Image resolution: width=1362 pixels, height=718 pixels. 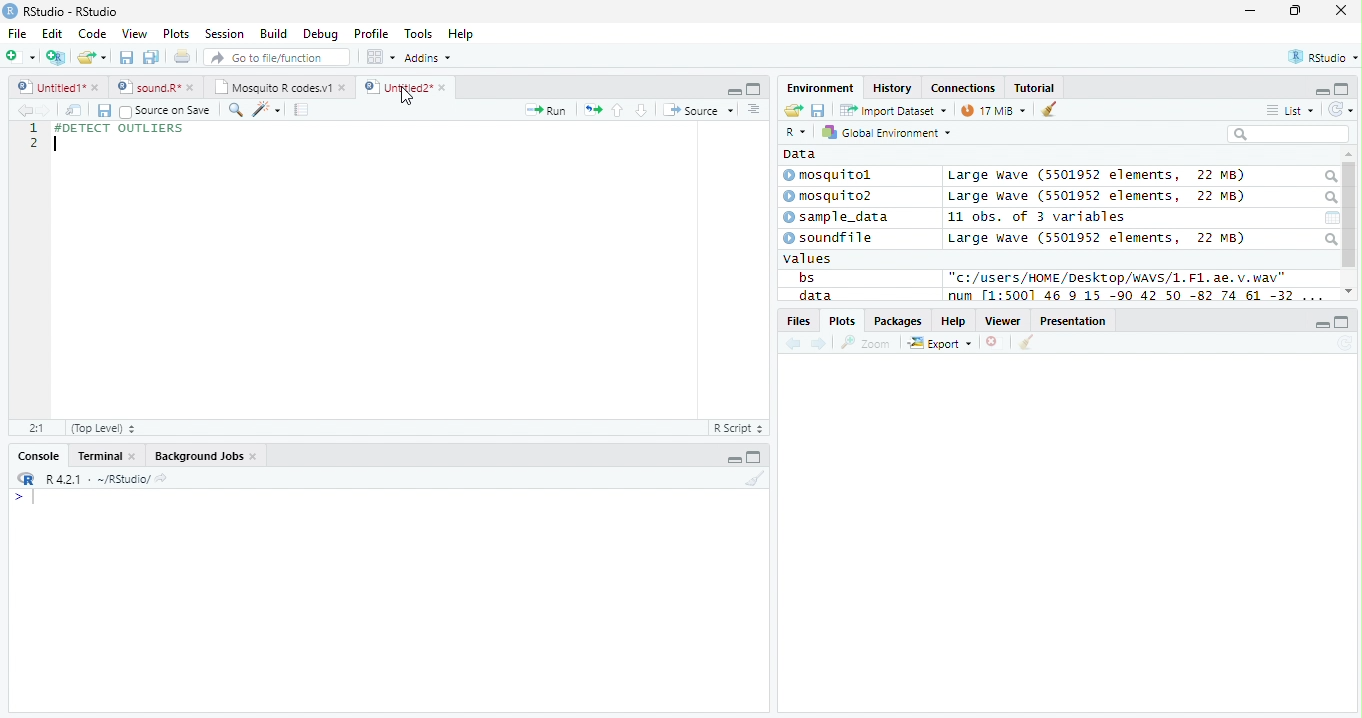 What do you see at coordinates (1322, 323) in the screenshot?
I see `minimize` at bounding box center [1322, 323].